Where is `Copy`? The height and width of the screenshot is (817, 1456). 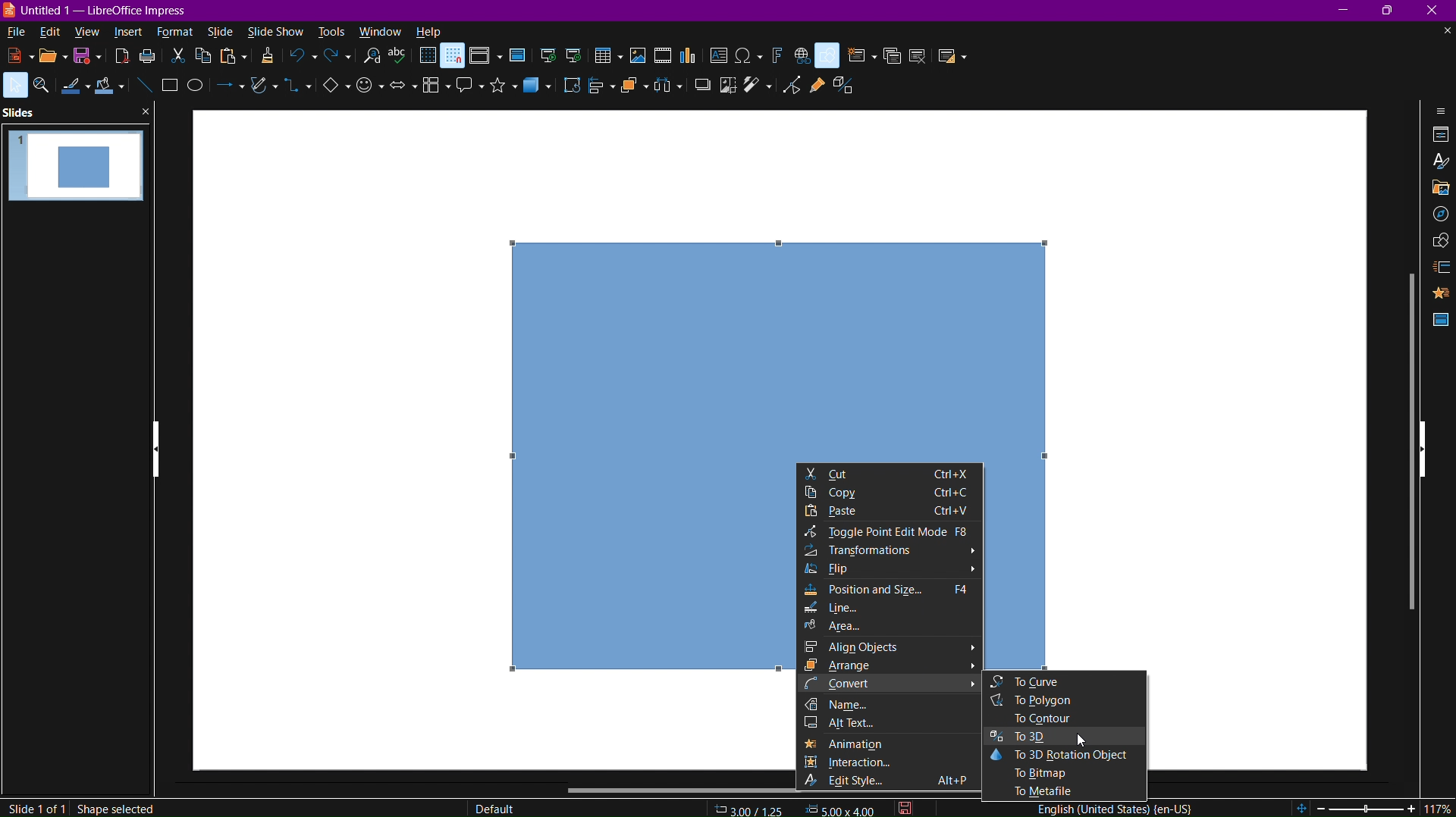 Copy is located at coordinates (893, 495).